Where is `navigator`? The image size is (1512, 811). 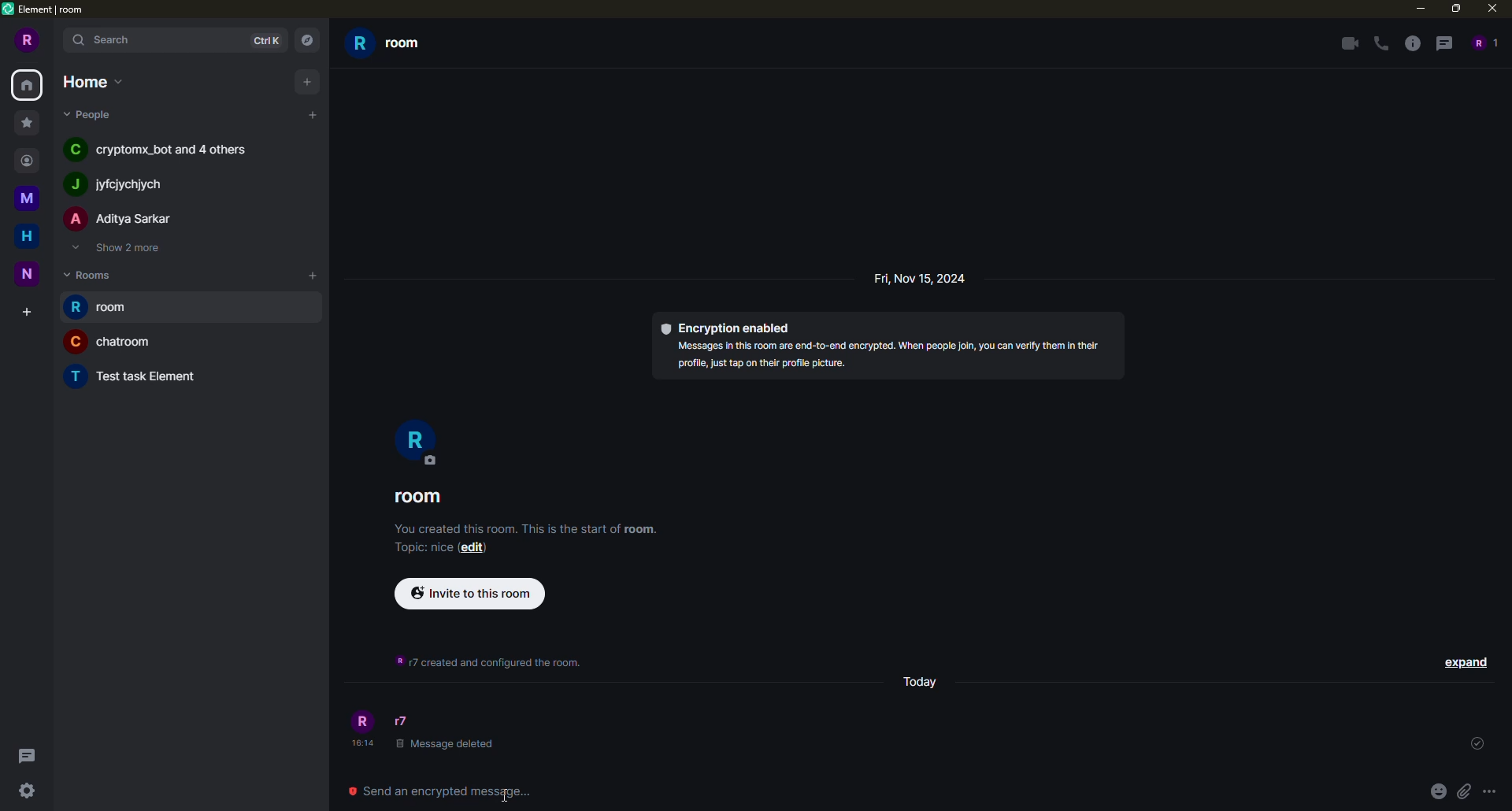
navigator is located at coordinates (306, 40).